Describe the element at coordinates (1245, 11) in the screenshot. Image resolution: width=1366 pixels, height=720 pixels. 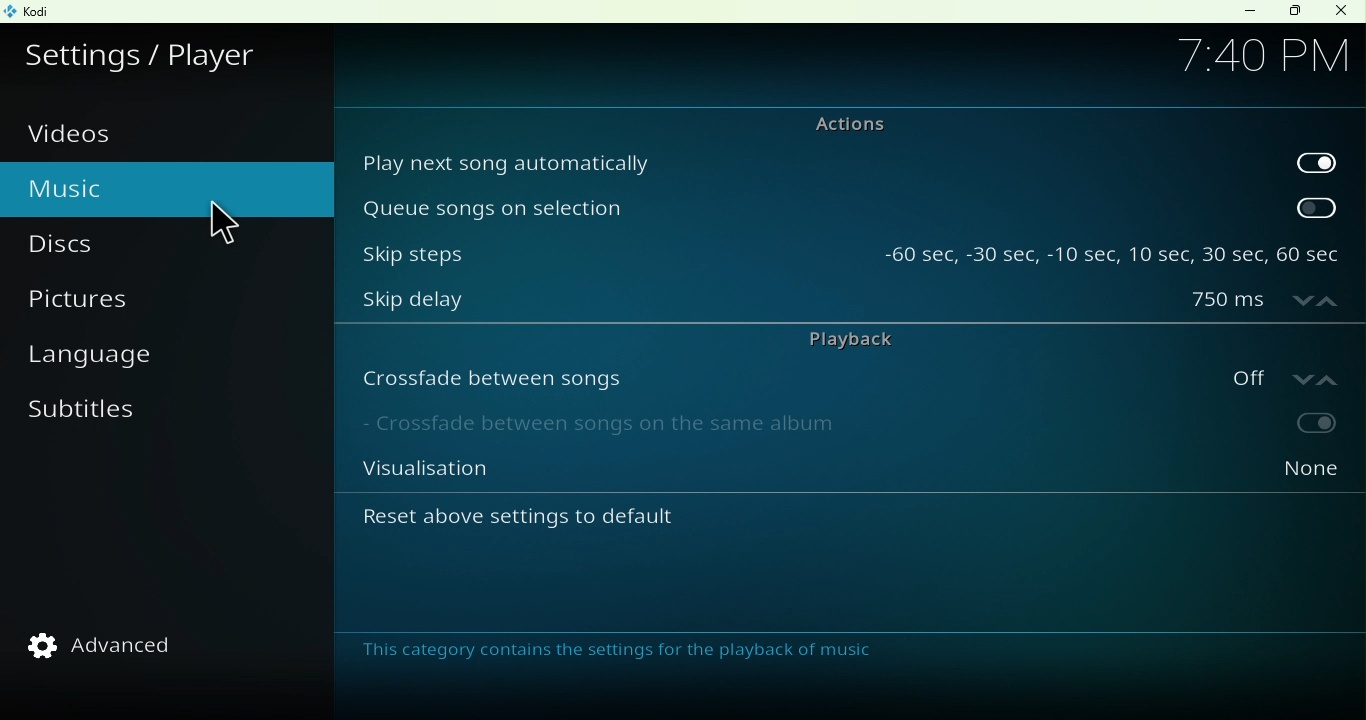
I see `Minimize` at that location.